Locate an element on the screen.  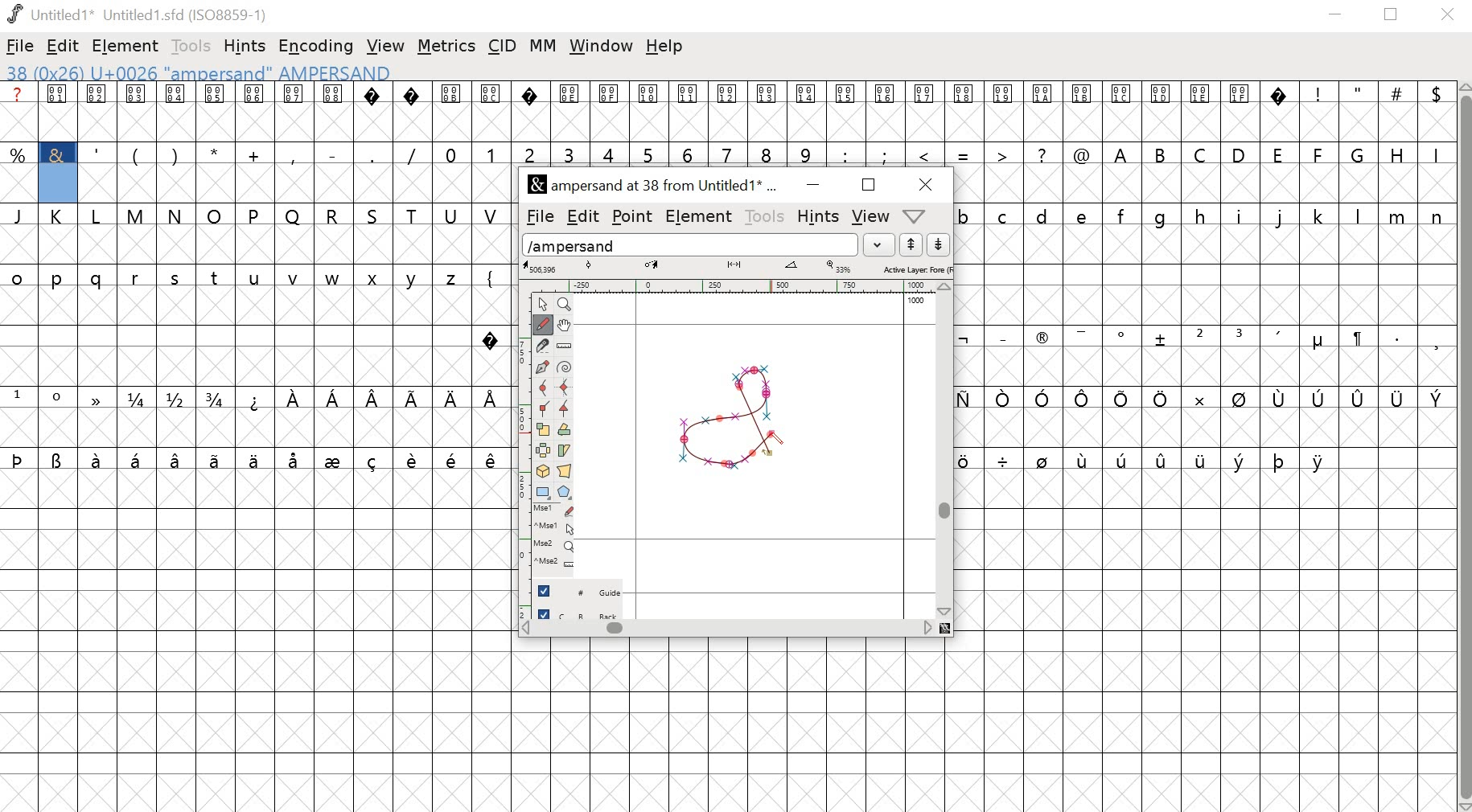
L is located at coordinates (99, 216).